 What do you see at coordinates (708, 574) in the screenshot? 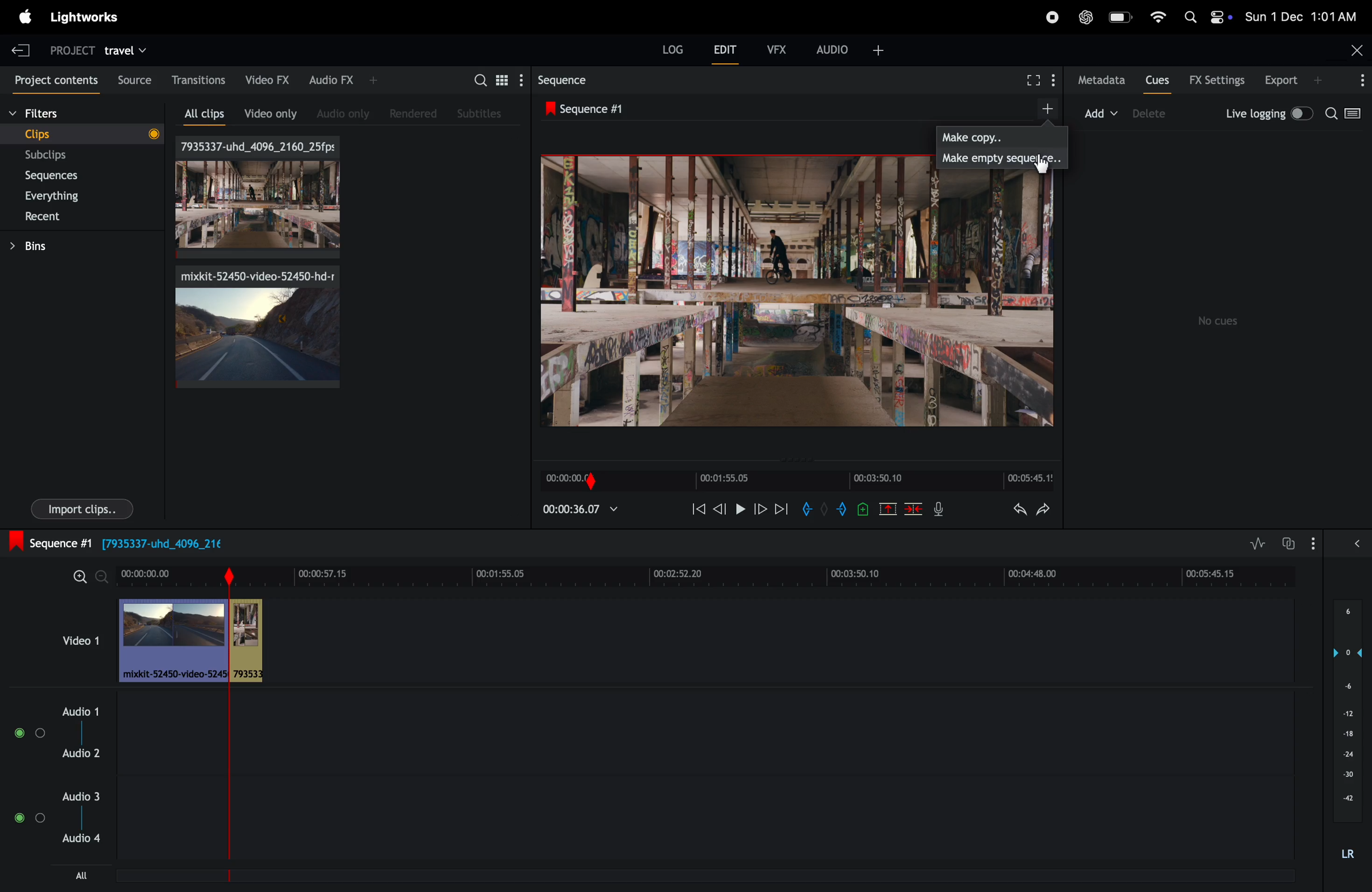
I see `time frame` at bounding box center [708, 574].